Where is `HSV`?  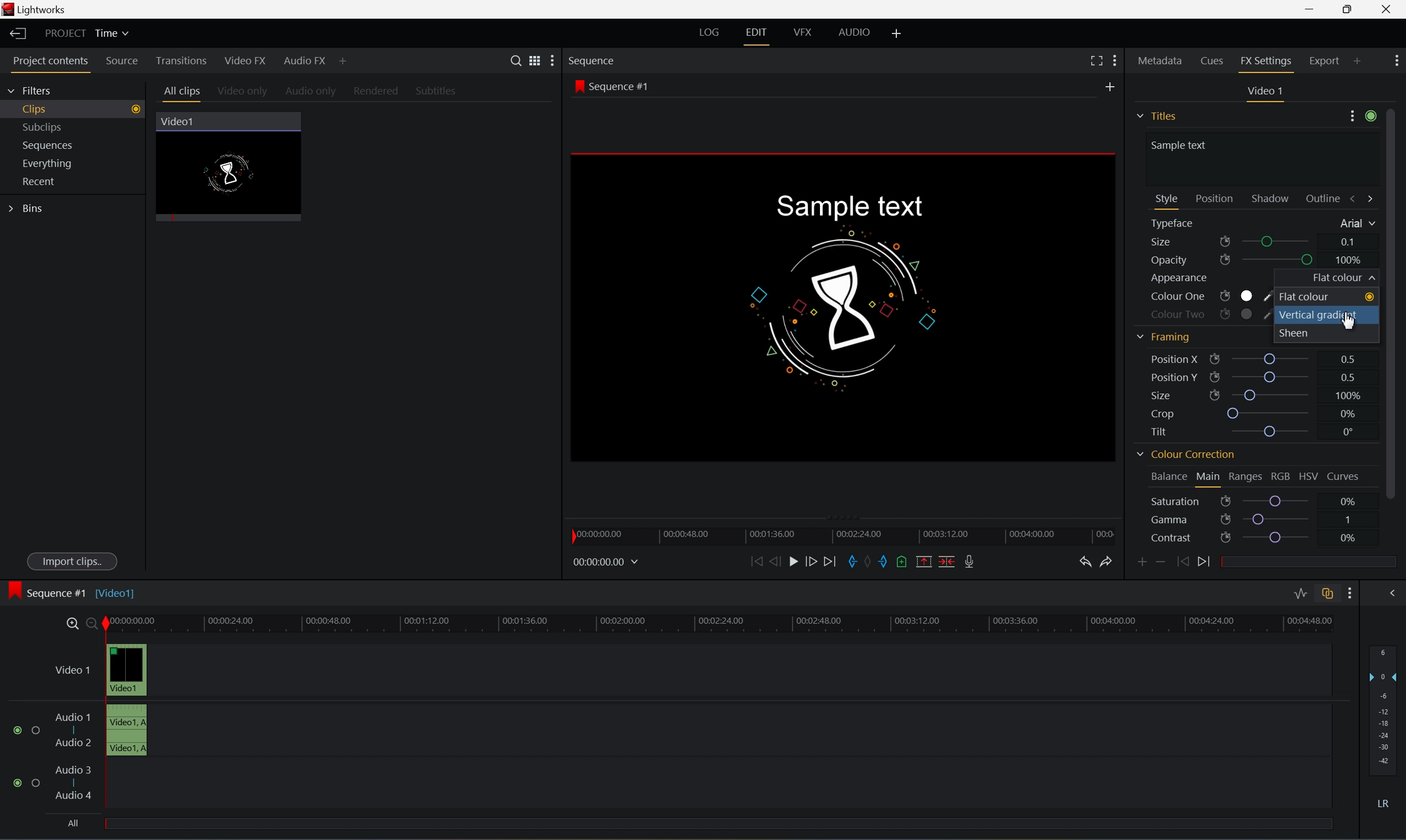
HSV is located at coordinates (1307, 477).